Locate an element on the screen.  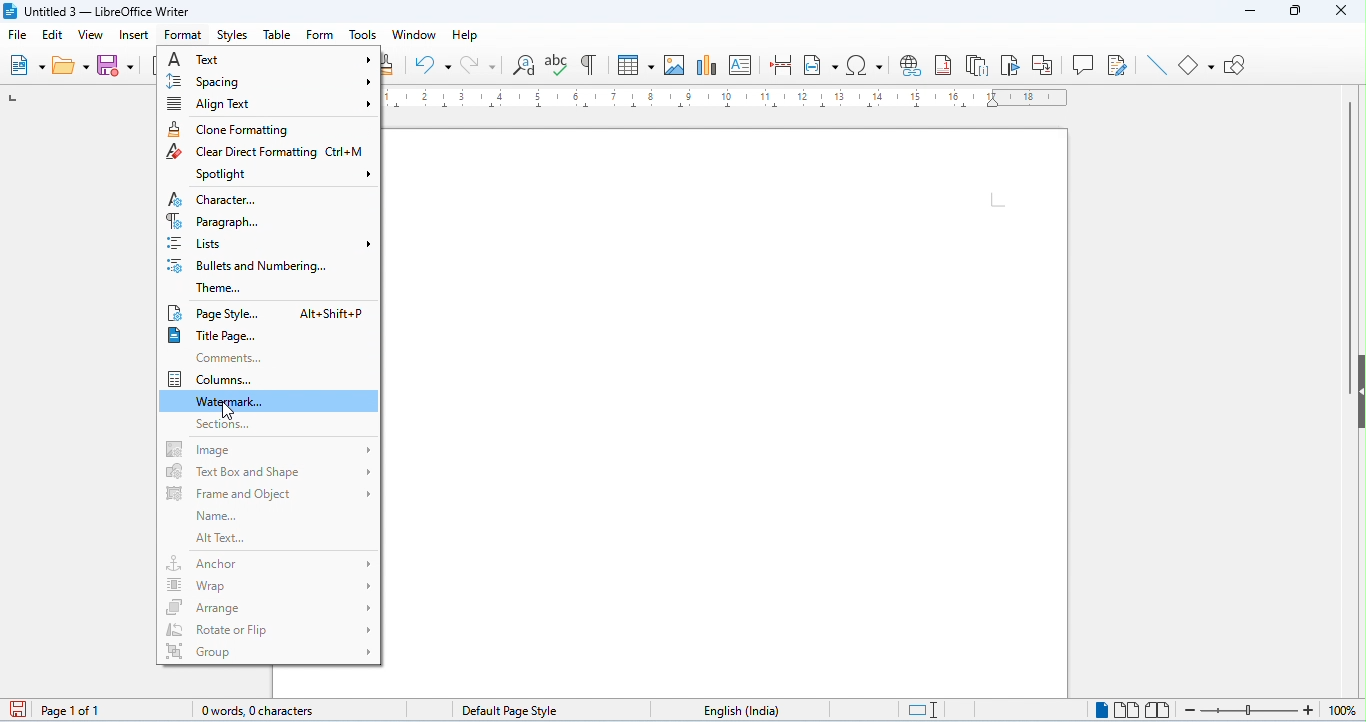
spacing is located at coordinates (268, 81).